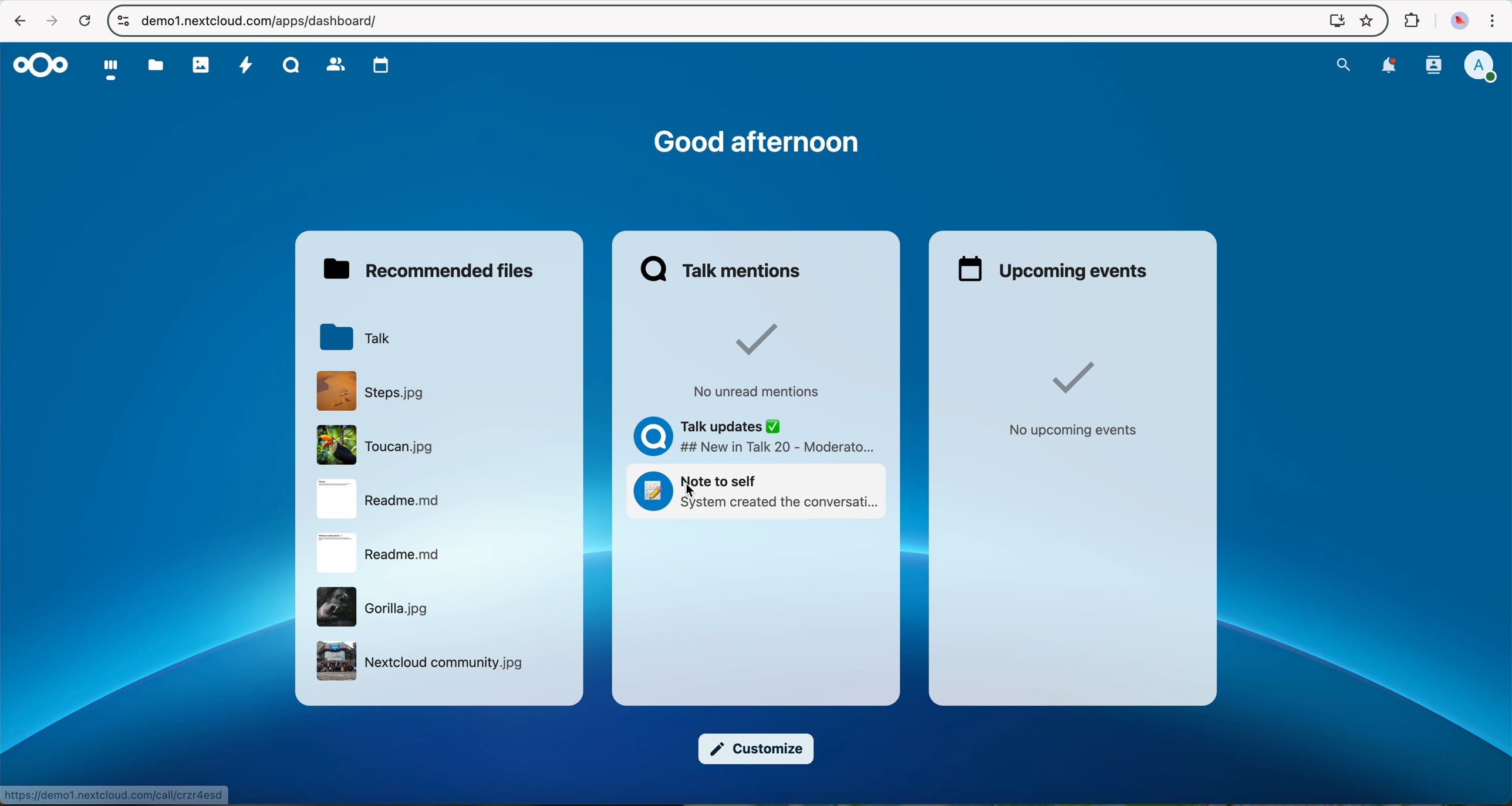  Describe the element at coordinates (84, 20) in the screenshot. I see `refresh the page` at that location.